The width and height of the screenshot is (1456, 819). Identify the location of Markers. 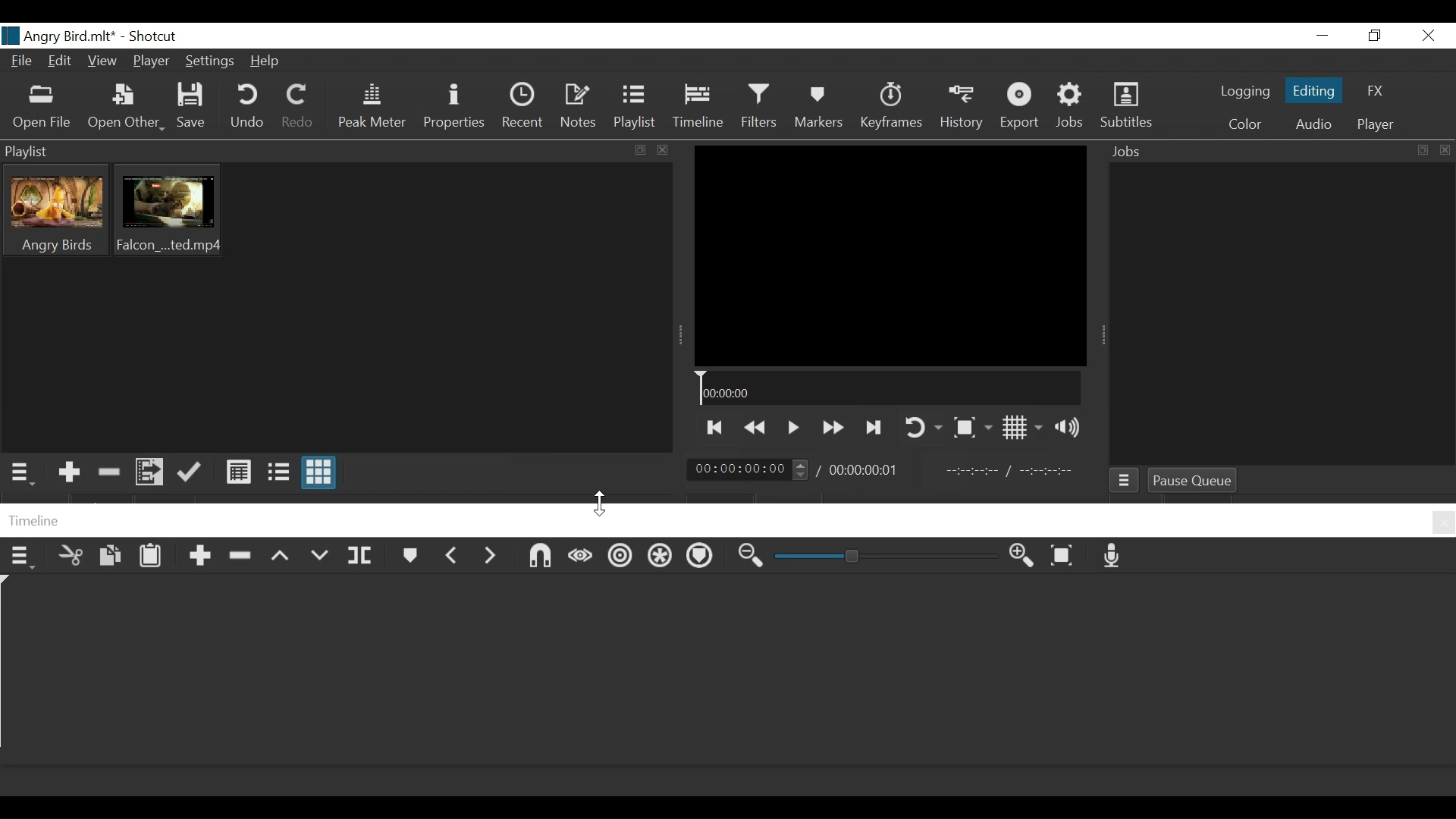
(821, 107).